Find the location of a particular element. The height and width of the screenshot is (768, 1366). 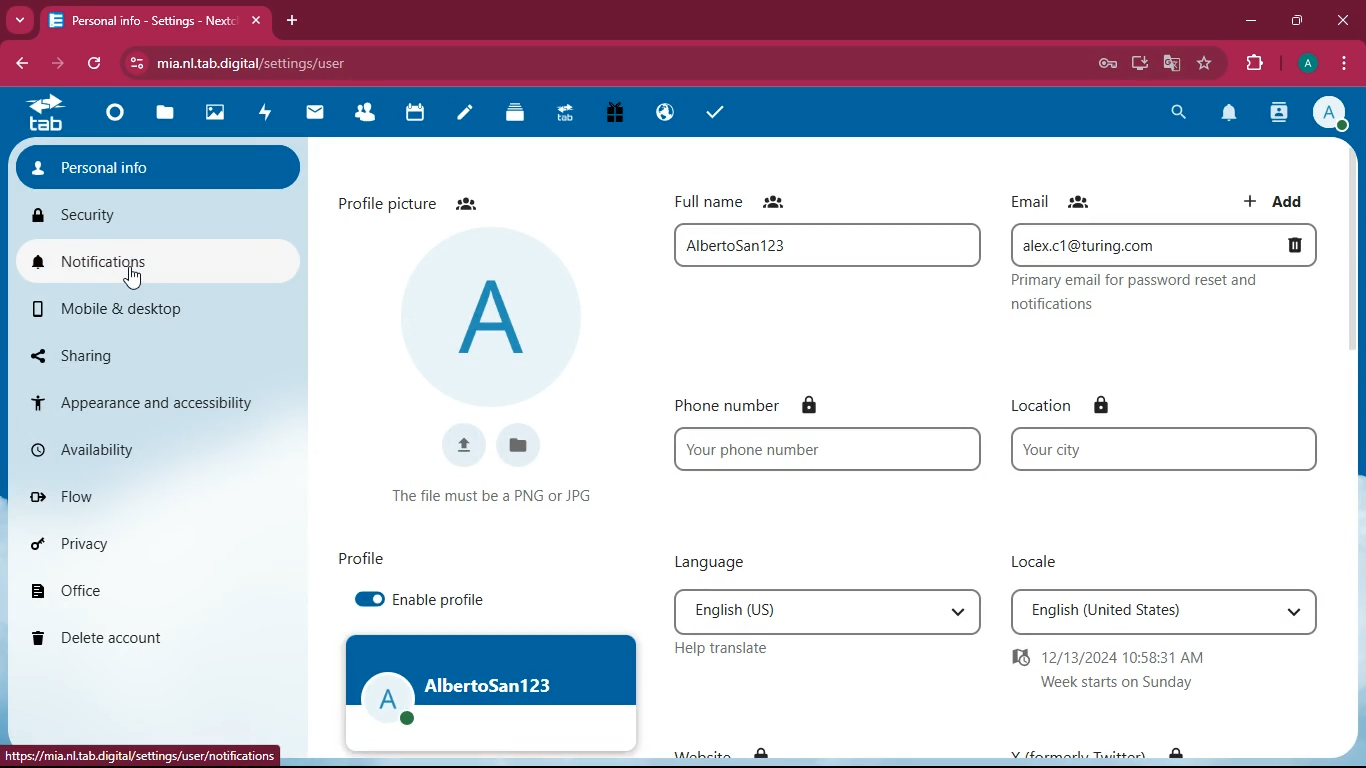

sharing is located at coordinates (155, 355).